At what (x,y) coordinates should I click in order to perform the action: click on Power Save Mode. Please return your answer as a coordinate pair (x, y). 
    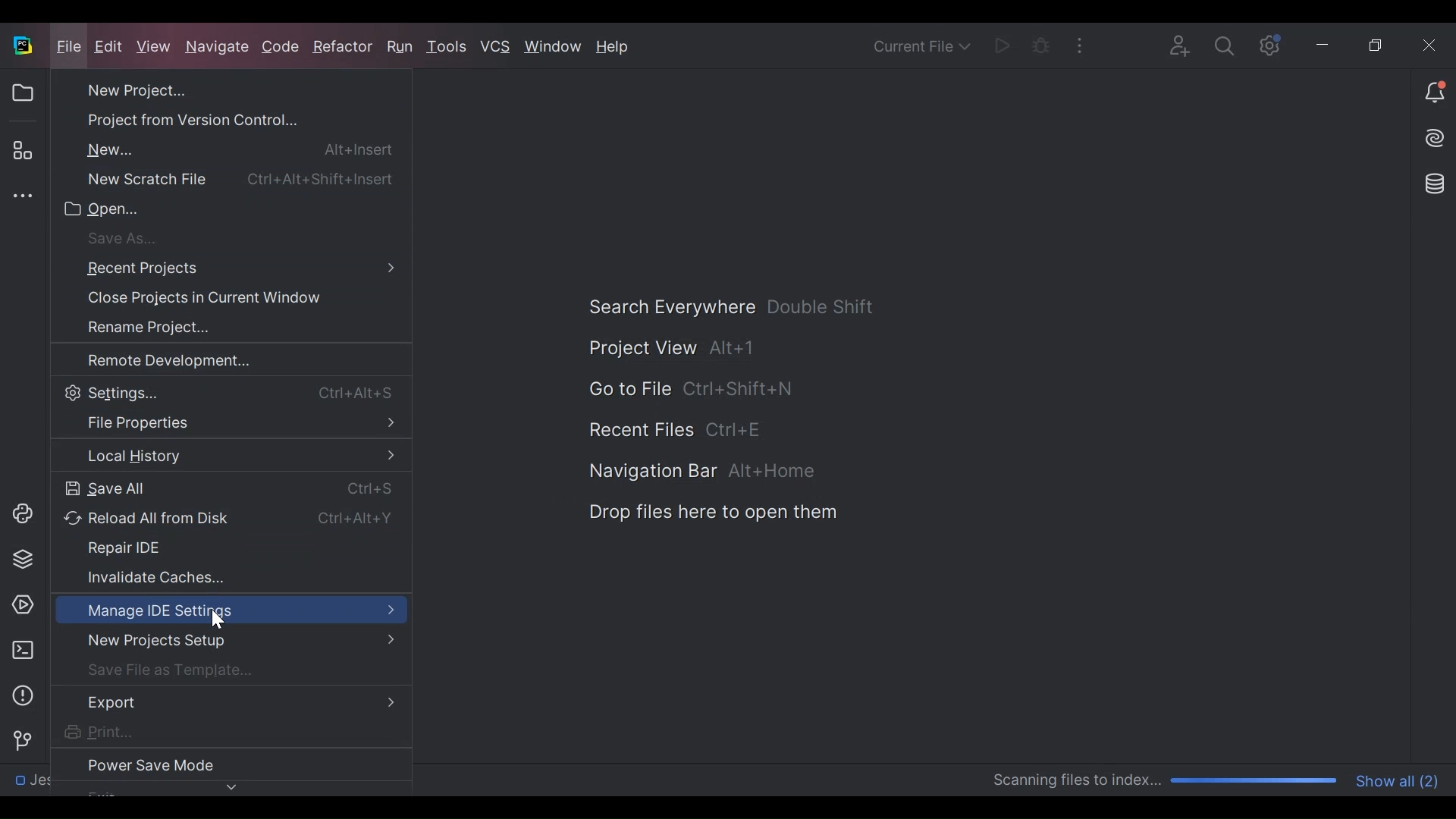
    Looking at the image, I should click on (209, 761).